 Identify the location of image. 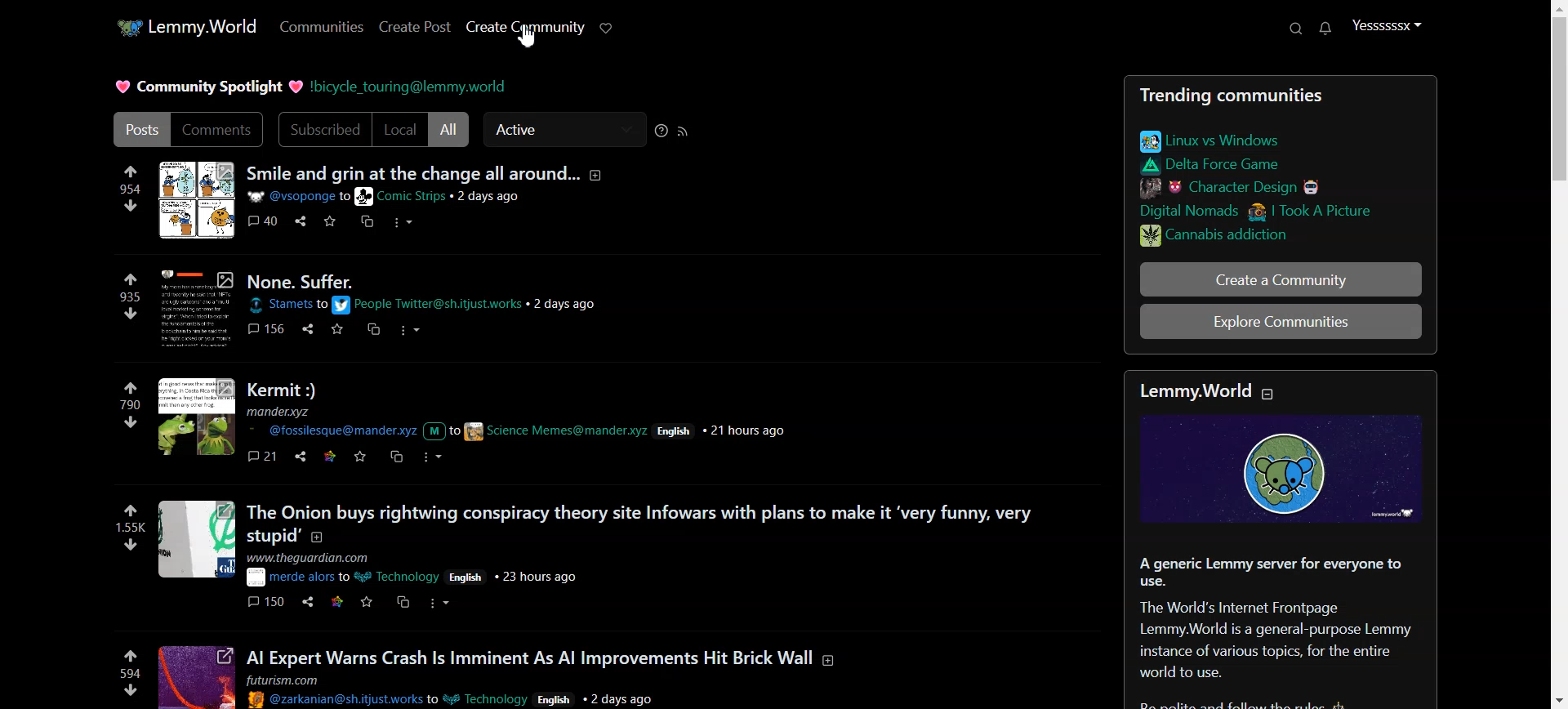
(200, 540).